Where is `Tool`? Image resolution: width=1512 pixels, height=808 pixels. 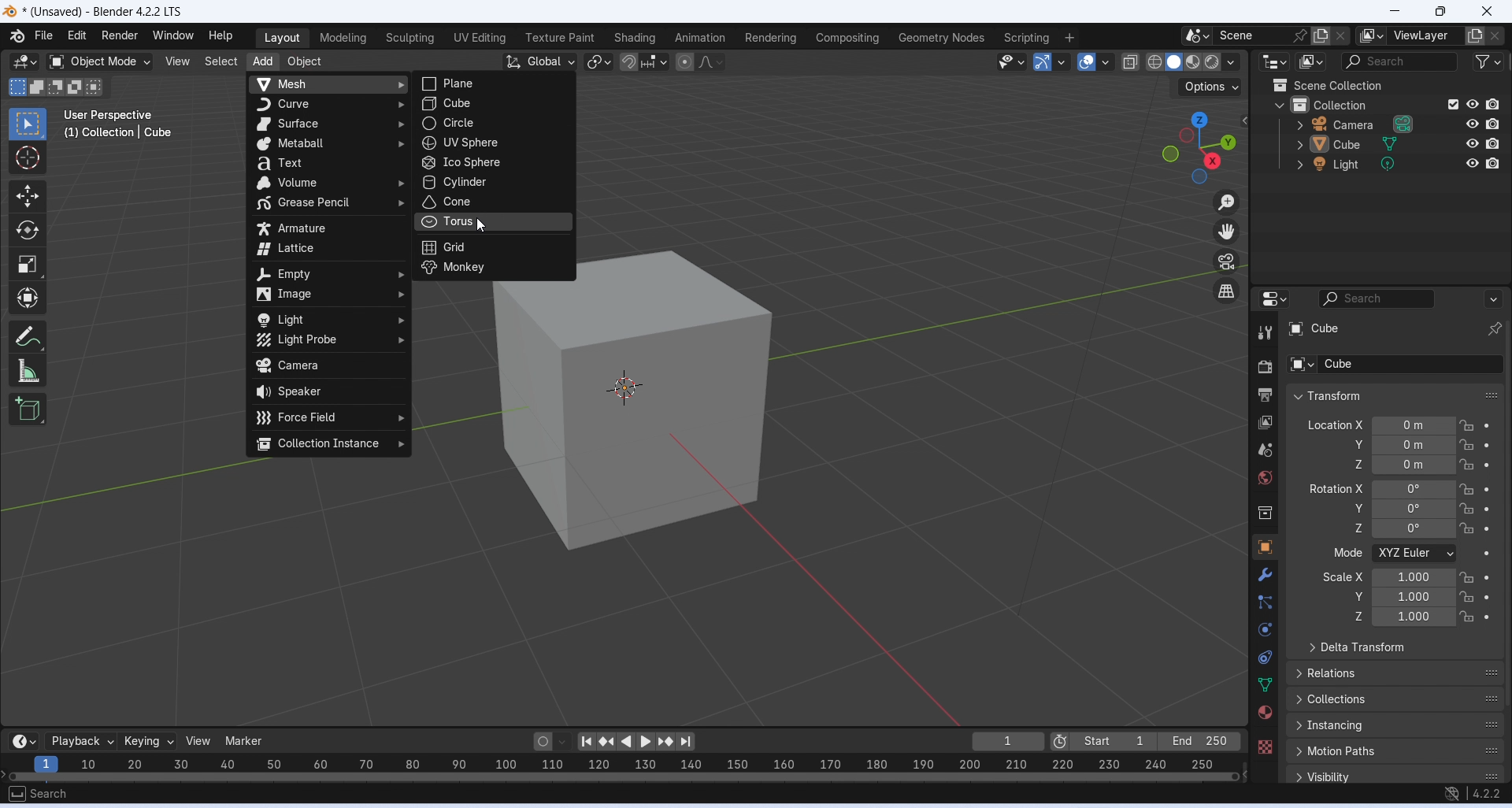 Tool is located at coordinates (1264, 332).